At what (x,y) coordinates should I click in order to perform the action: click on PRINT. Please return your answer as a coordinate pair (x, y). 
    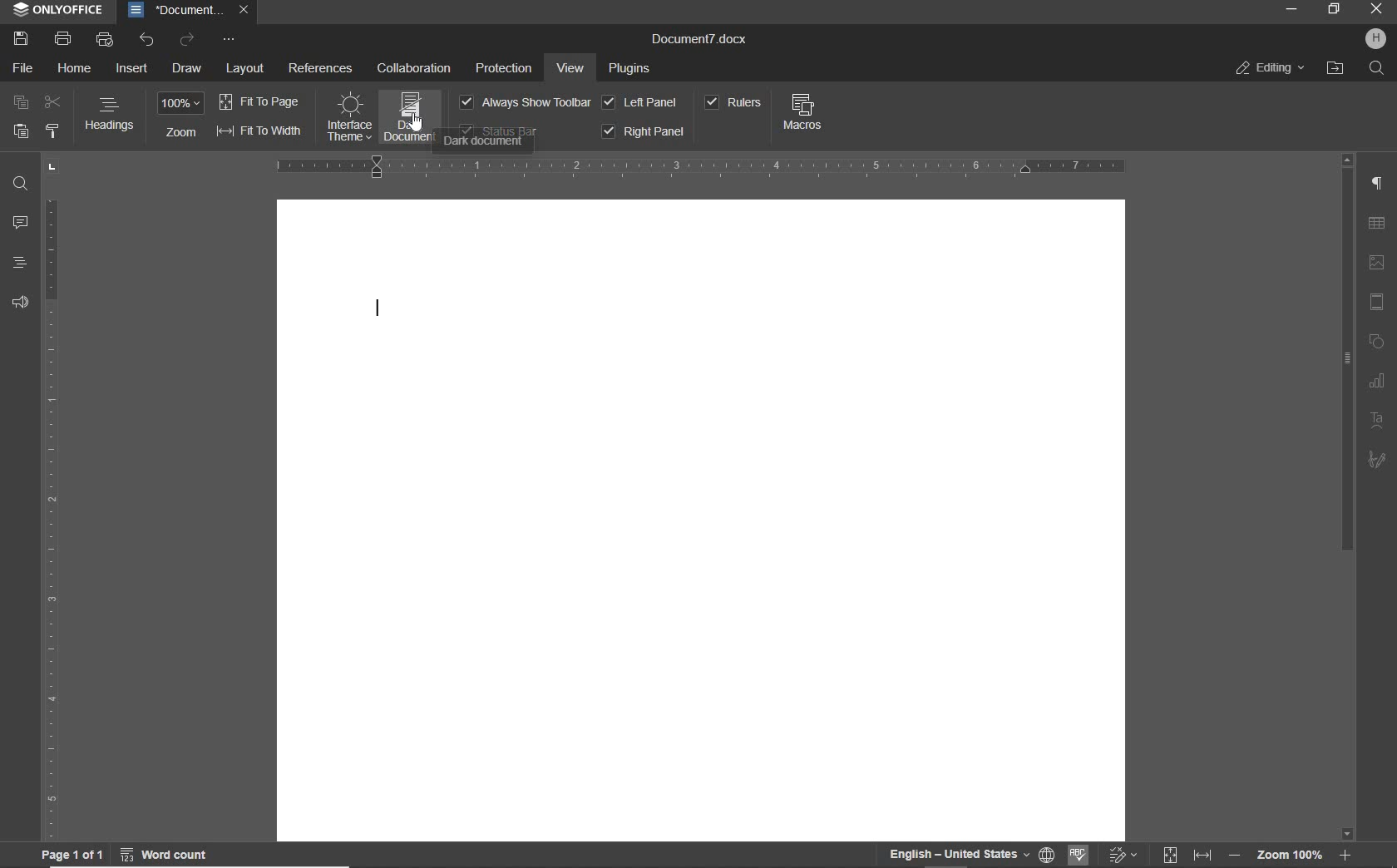
    Looking at the image, I should click on (62, 37).